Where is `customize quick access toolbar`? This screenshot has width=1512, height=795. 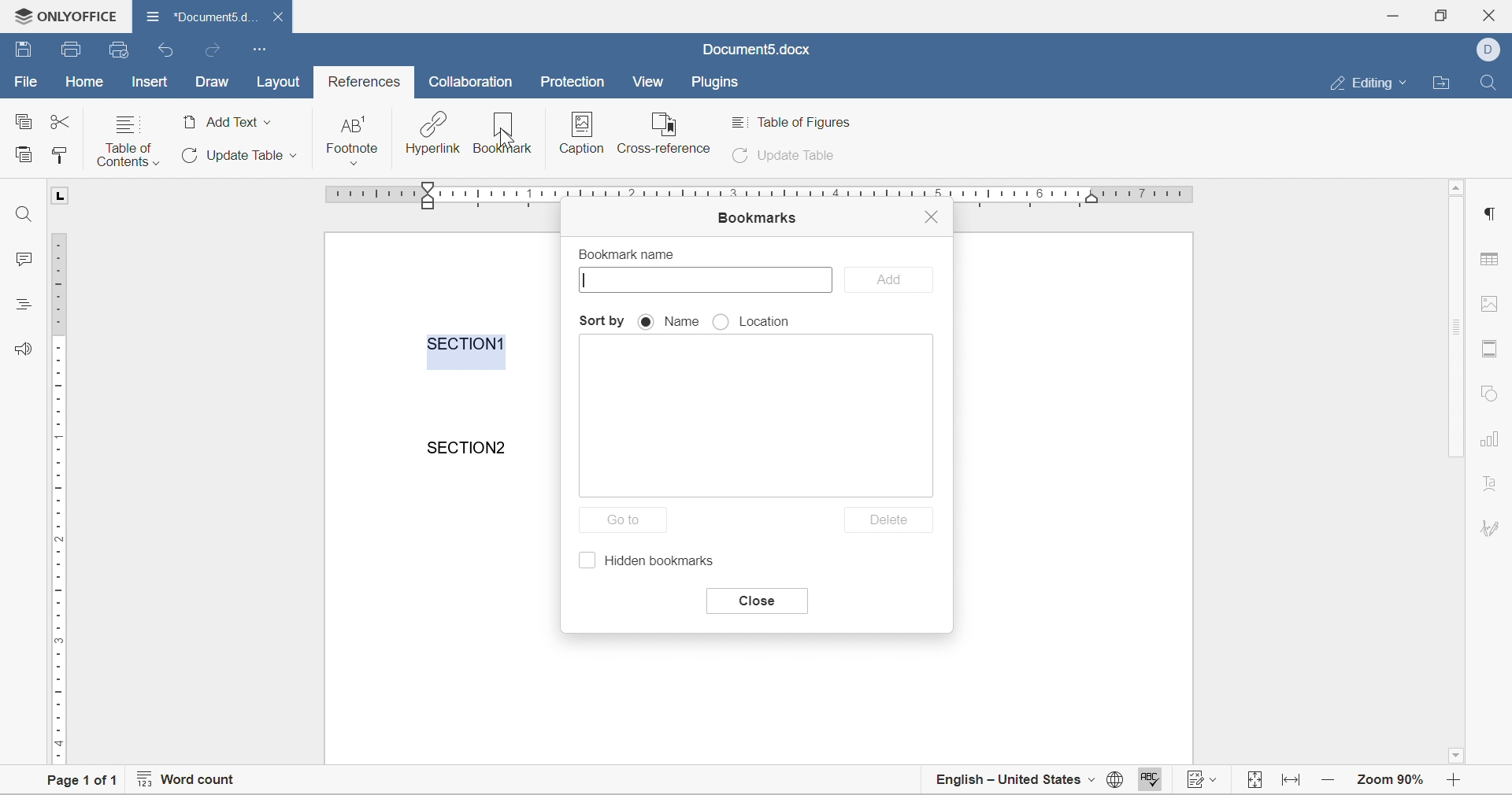
customize quick access toolbar is located at coordinates (261, 48).